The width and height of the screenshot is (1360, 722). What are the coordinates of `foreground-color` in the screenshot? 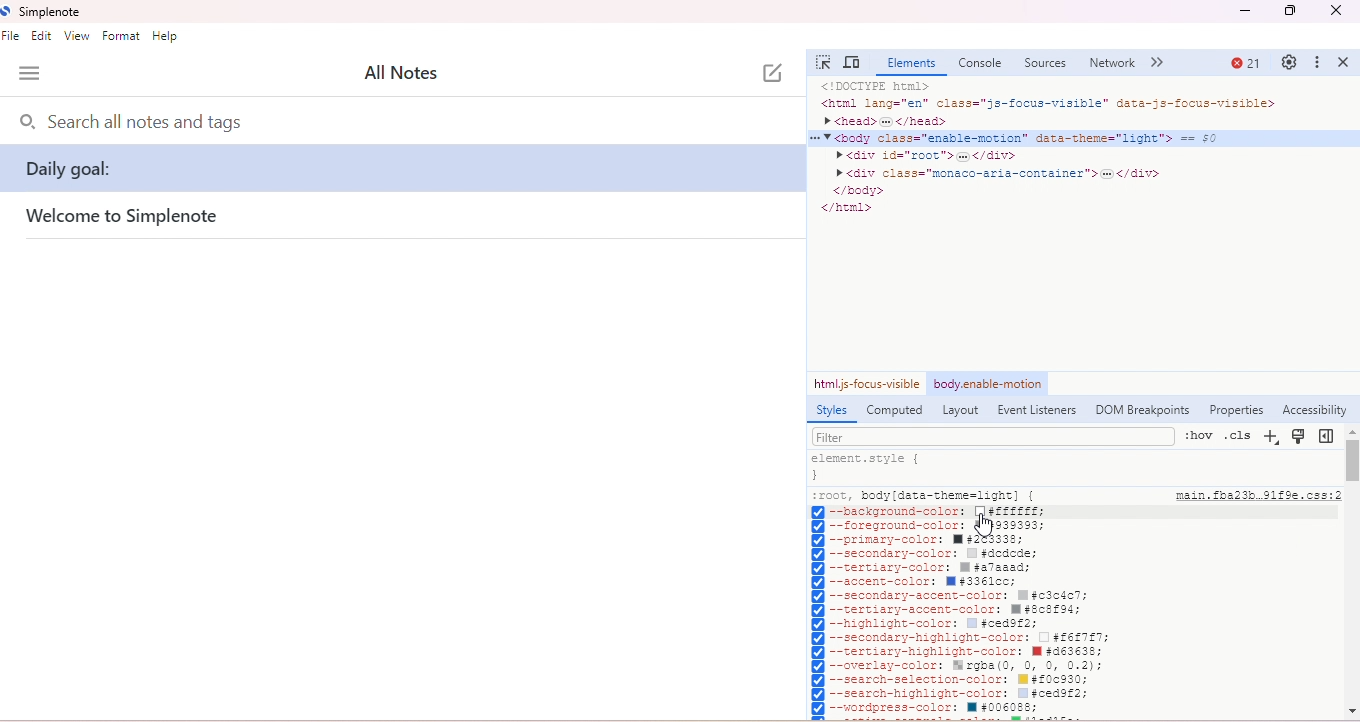 It's located at (928, 526).